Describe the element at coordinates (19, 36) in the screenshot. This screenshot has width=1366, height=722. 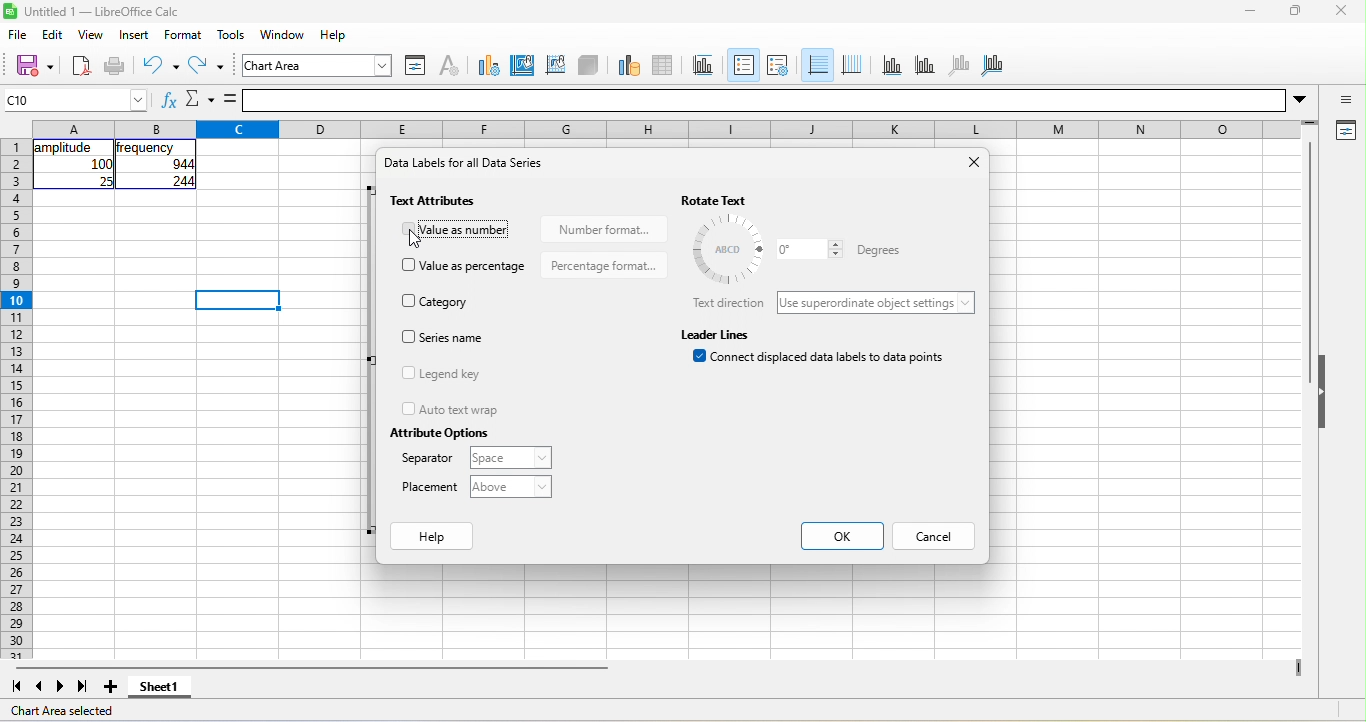
I see `file` at that location.